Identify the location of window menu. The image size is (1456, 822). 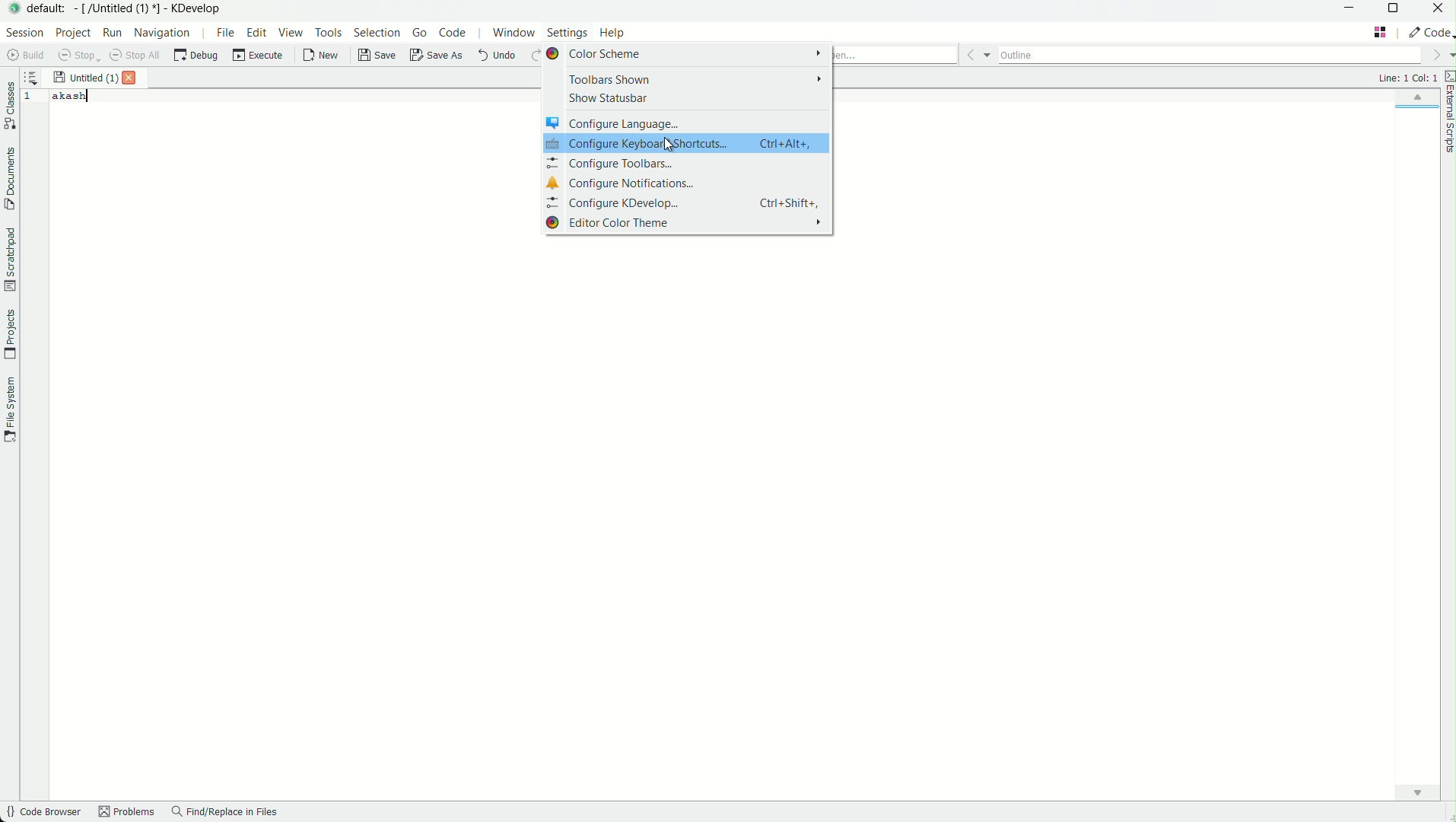
(513, 35).